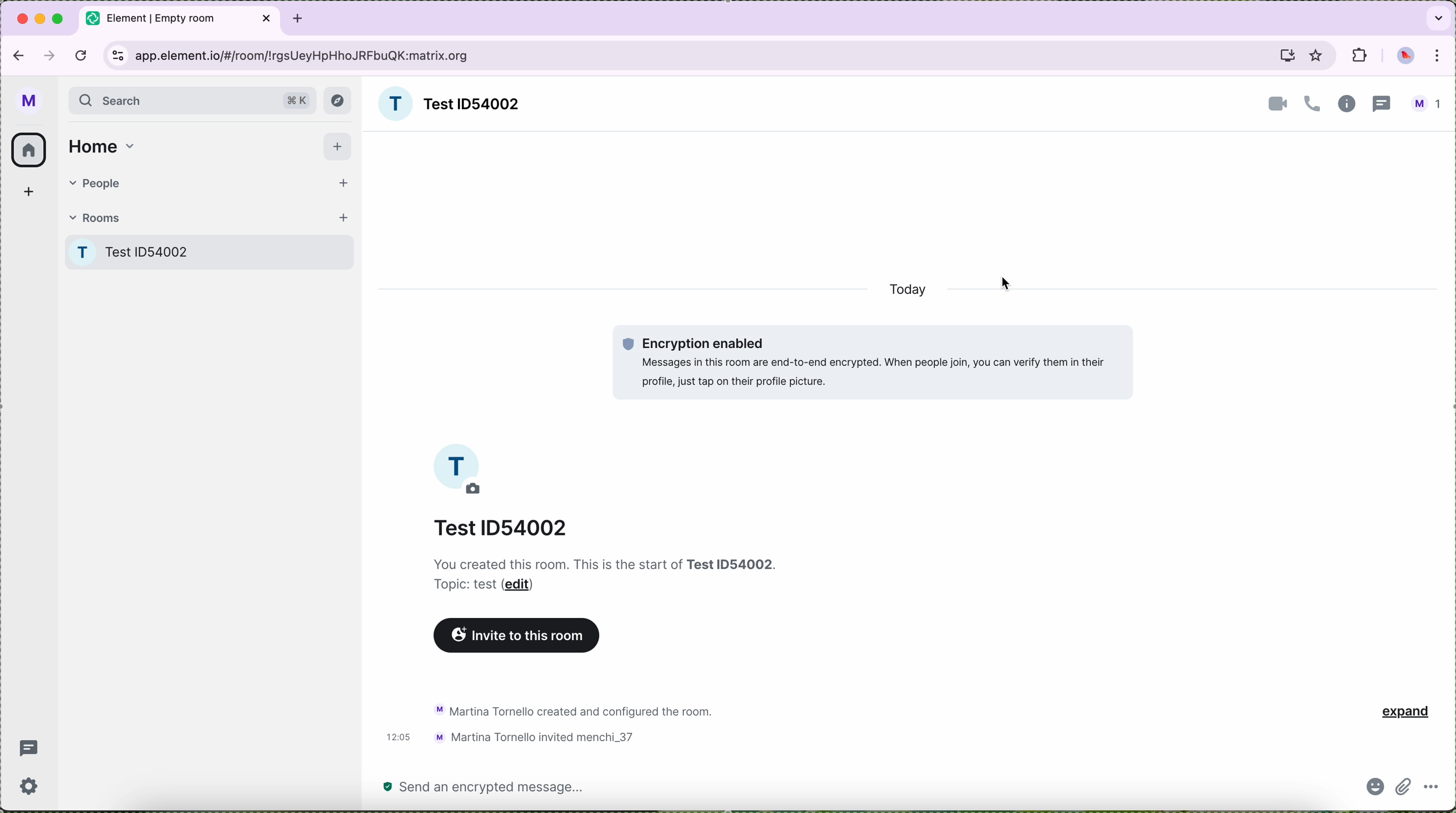  Describe the element at coordinates (29, 785) in the screenshot. I see `settings` at that location.